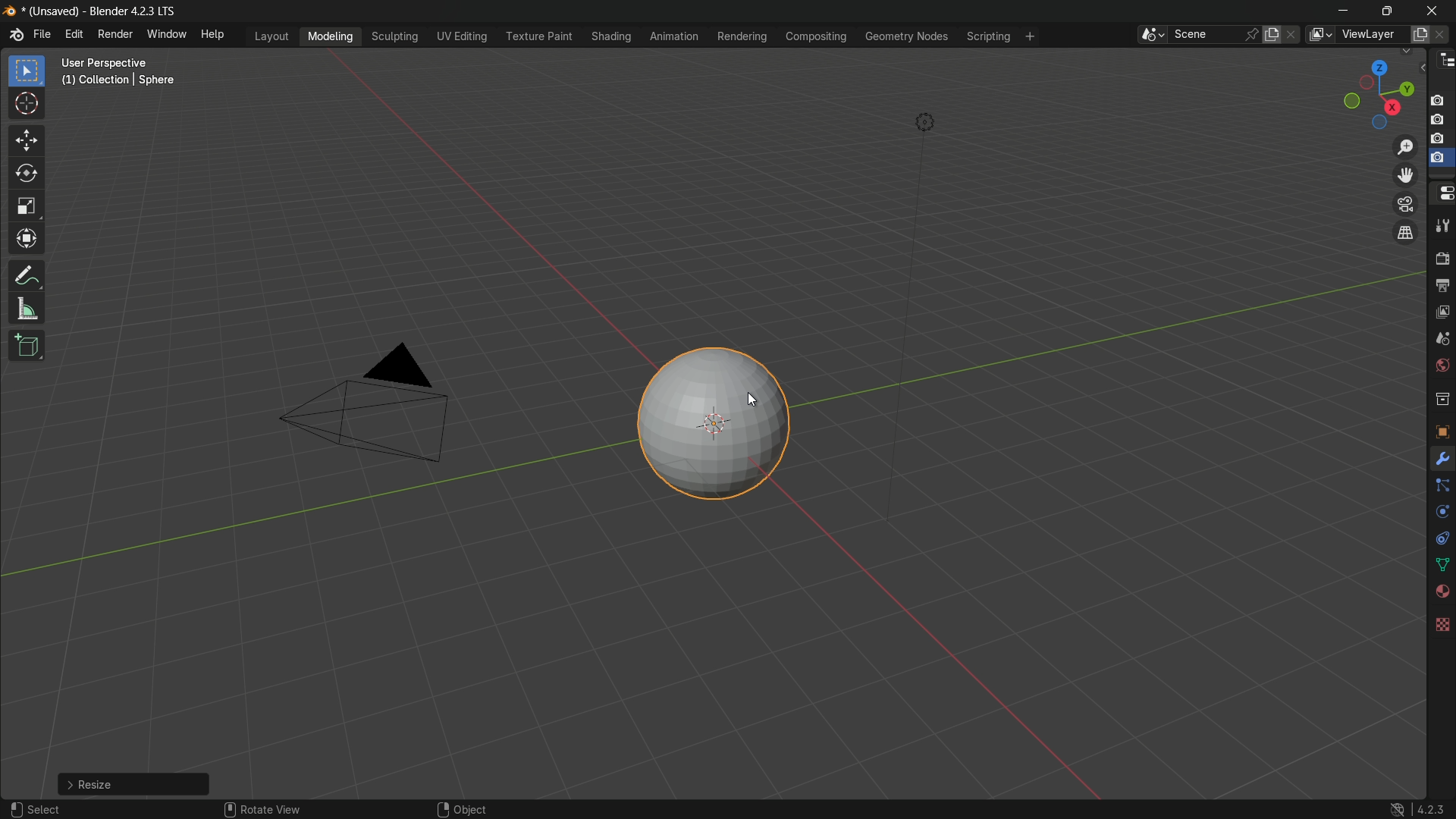 The width and height of the screenshot is (1456, 819). What do you see at coordinates (1441, 313) in the screenshot?
I see `view layer` at bounding box center [1441, 313].